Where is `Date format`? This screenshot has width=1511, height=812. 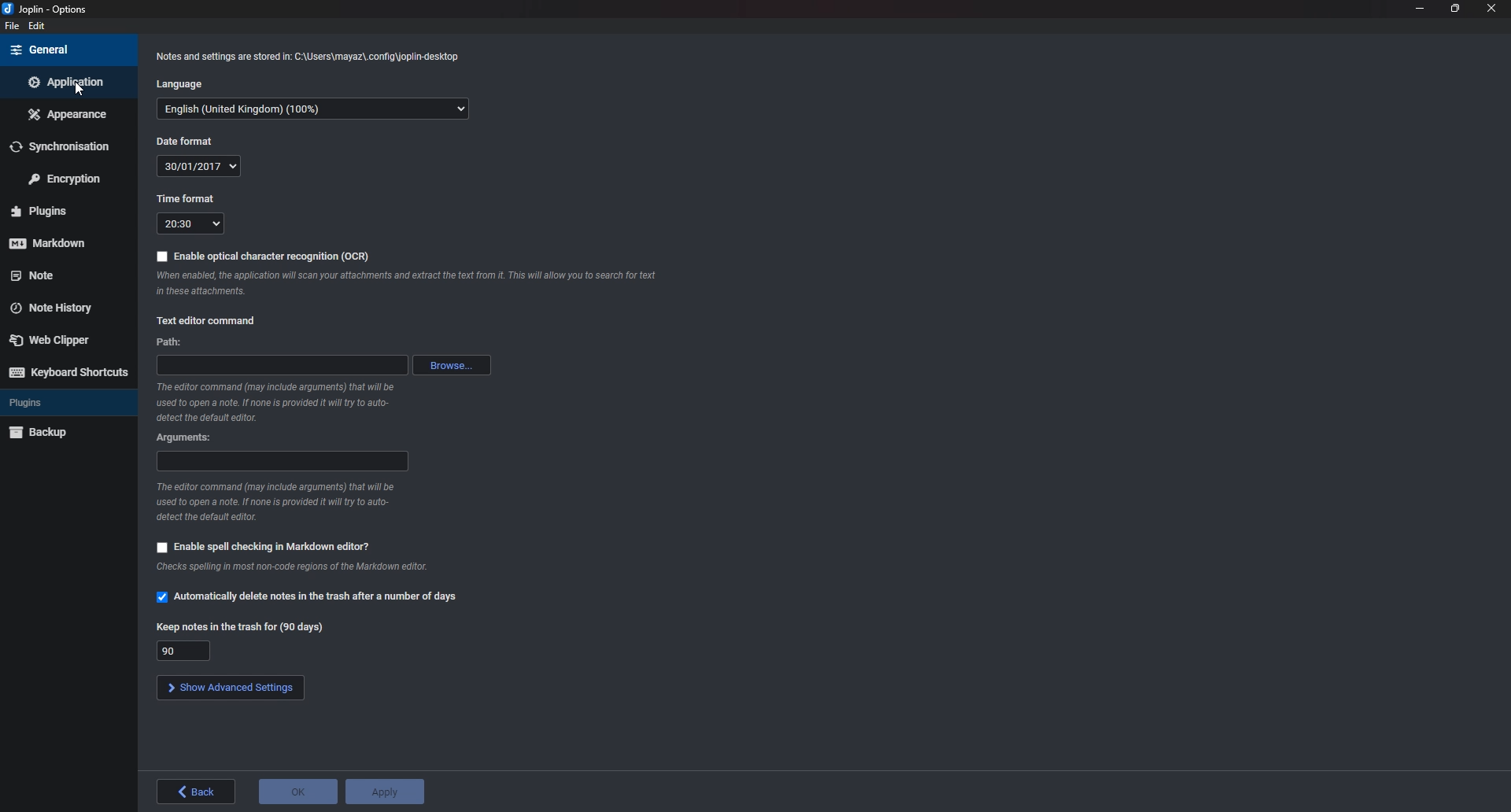 Date format is located at coordinates (200, 166).